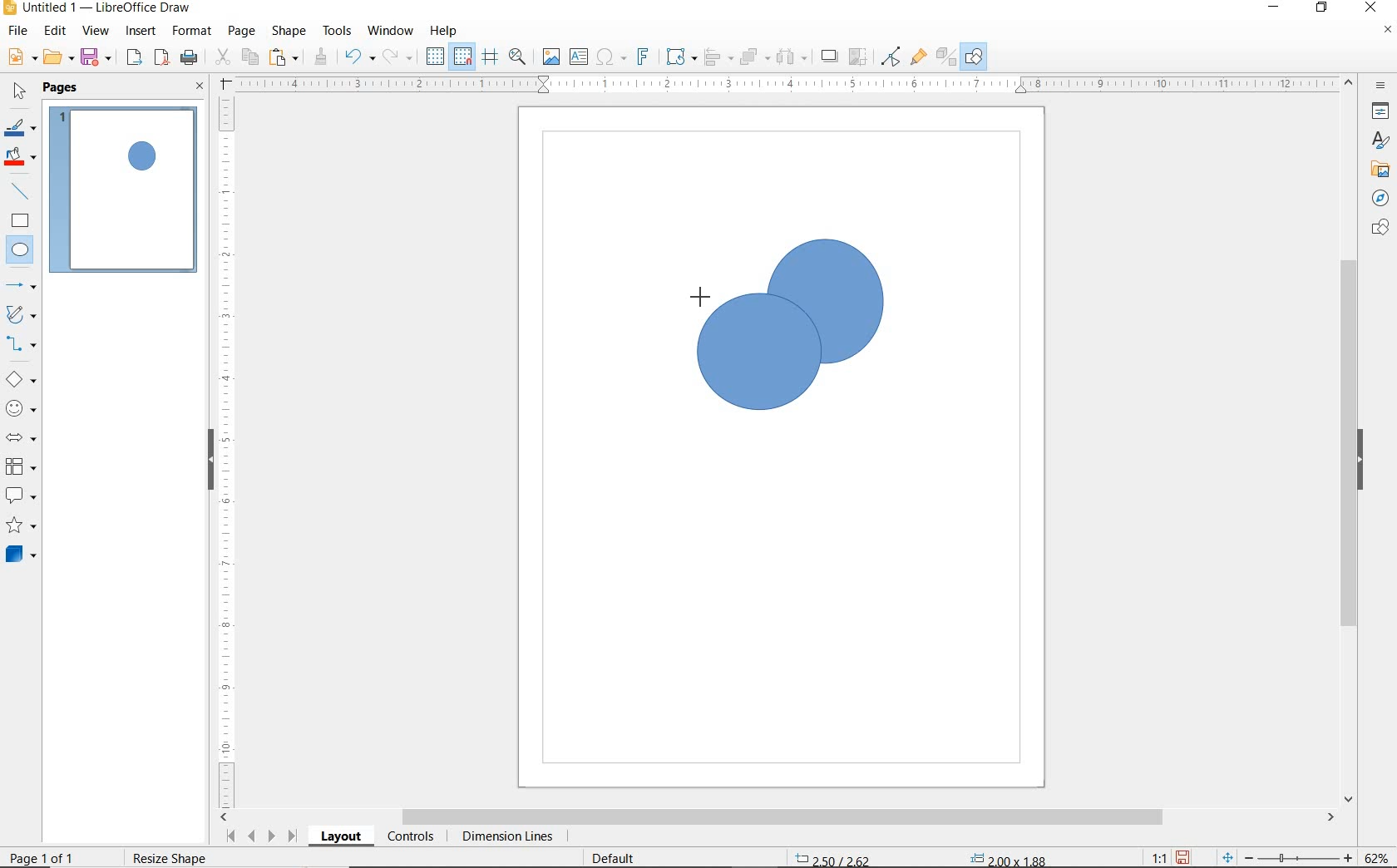  I want to click on SHADOW, so click(830, 58).